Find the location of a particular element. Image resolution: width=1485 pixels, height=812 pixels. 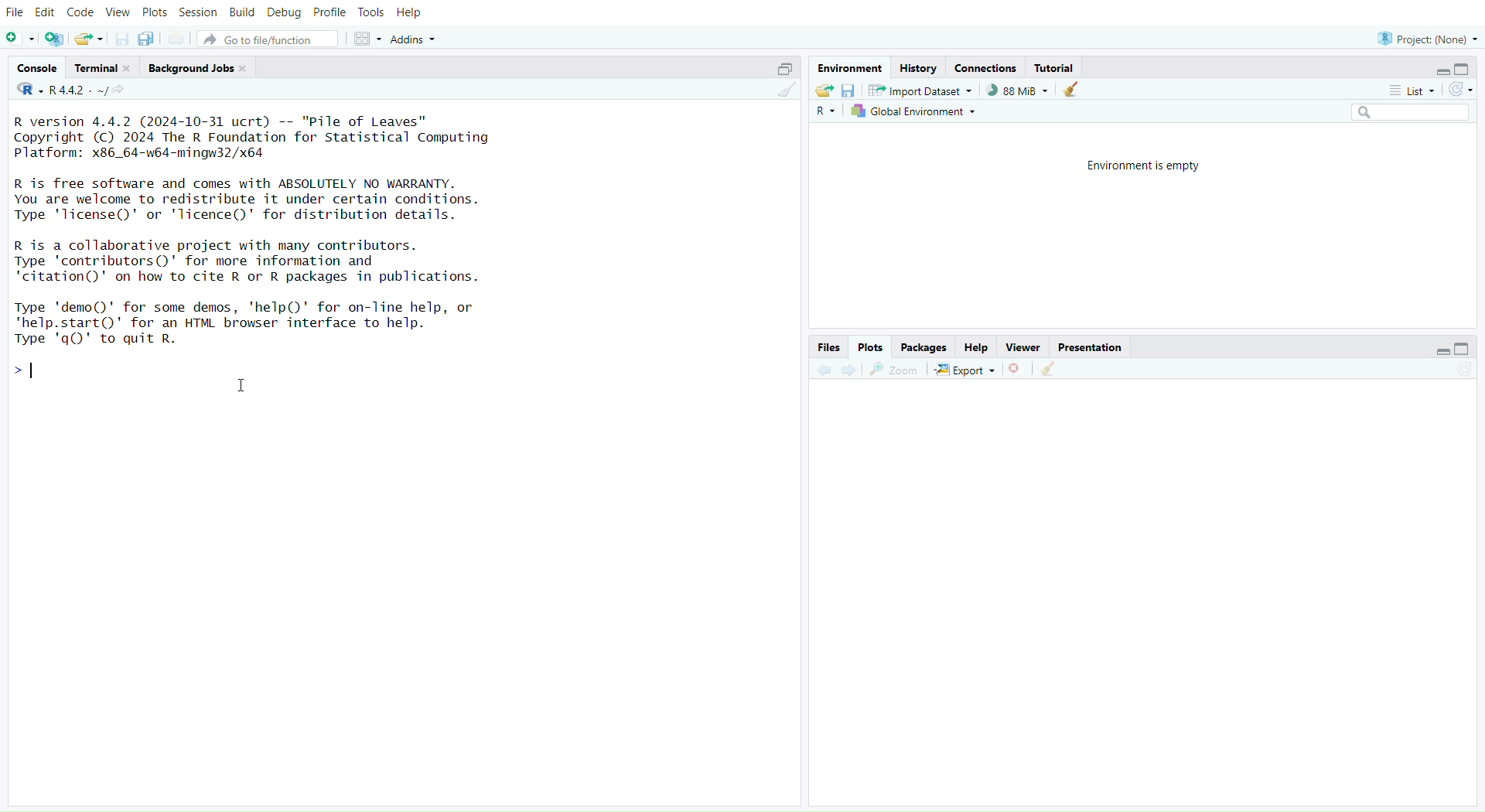

create a project is located at coordinates (54, 39).